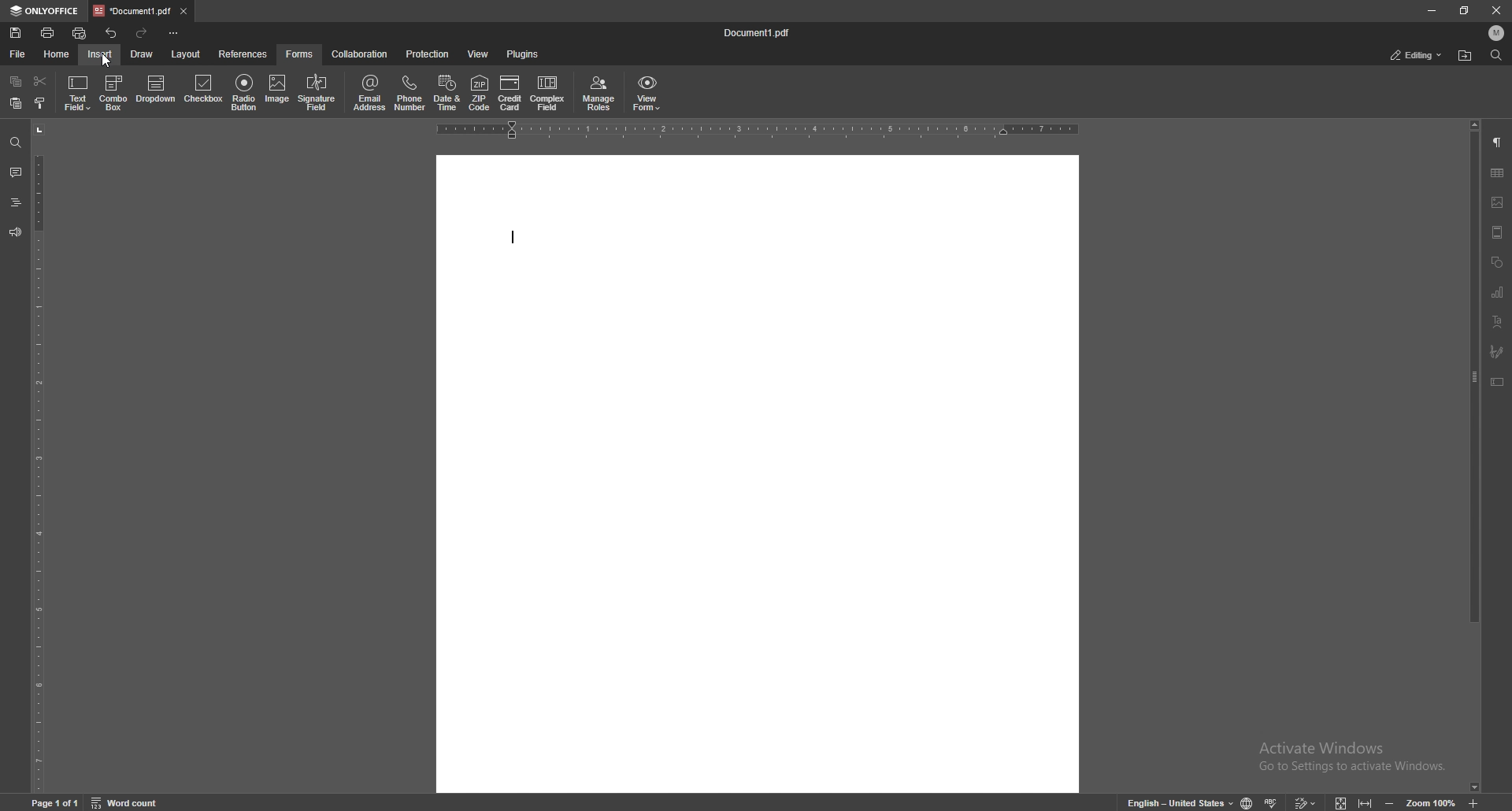  What do you see at coordinates (317, 92) in the screenshot?
I see `signature field` at bounding box center [317, 92].